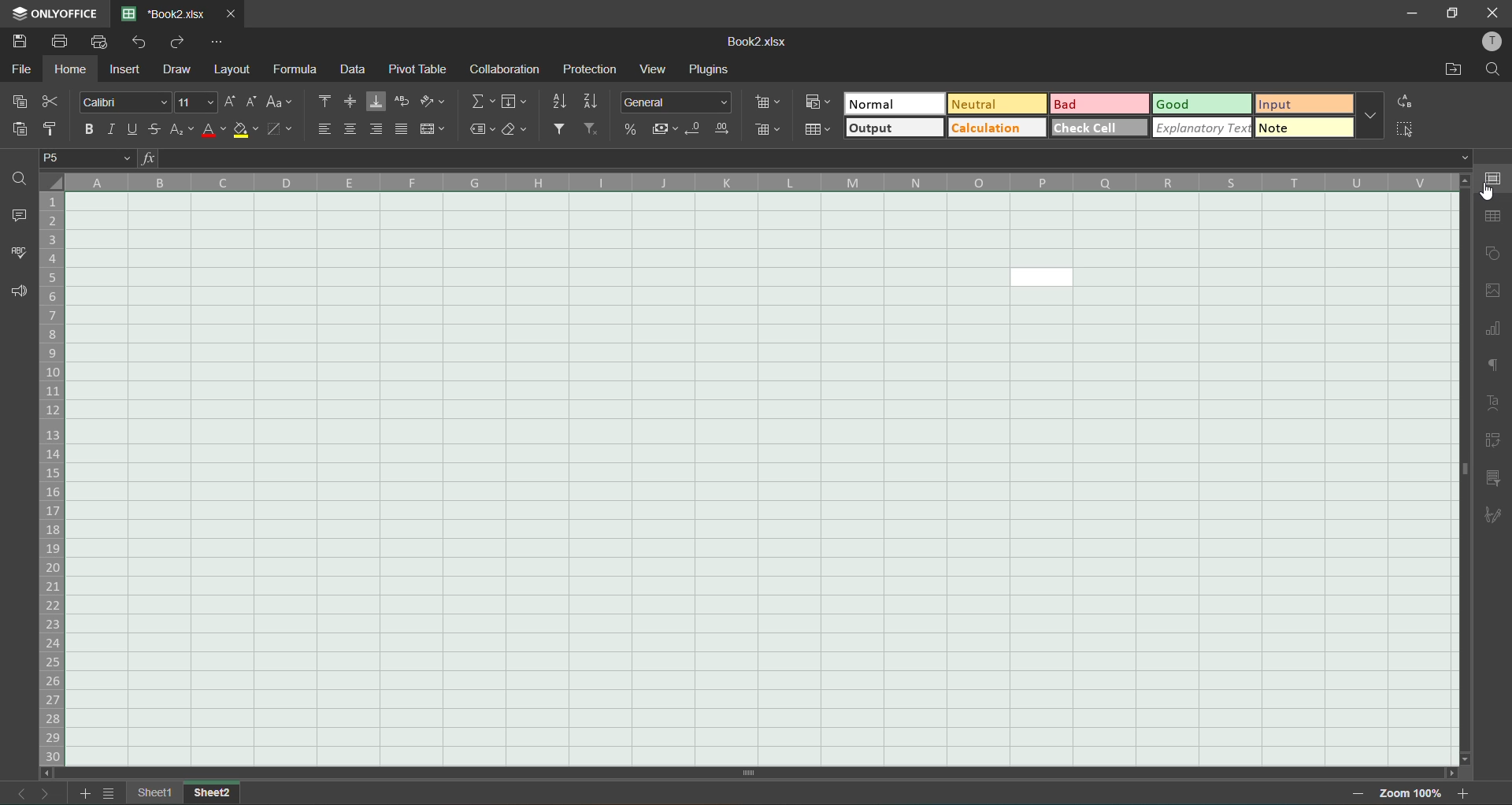 The width and height of the screenshot is (1512, 805). I want to click on paragraph, so click(1494, 366).